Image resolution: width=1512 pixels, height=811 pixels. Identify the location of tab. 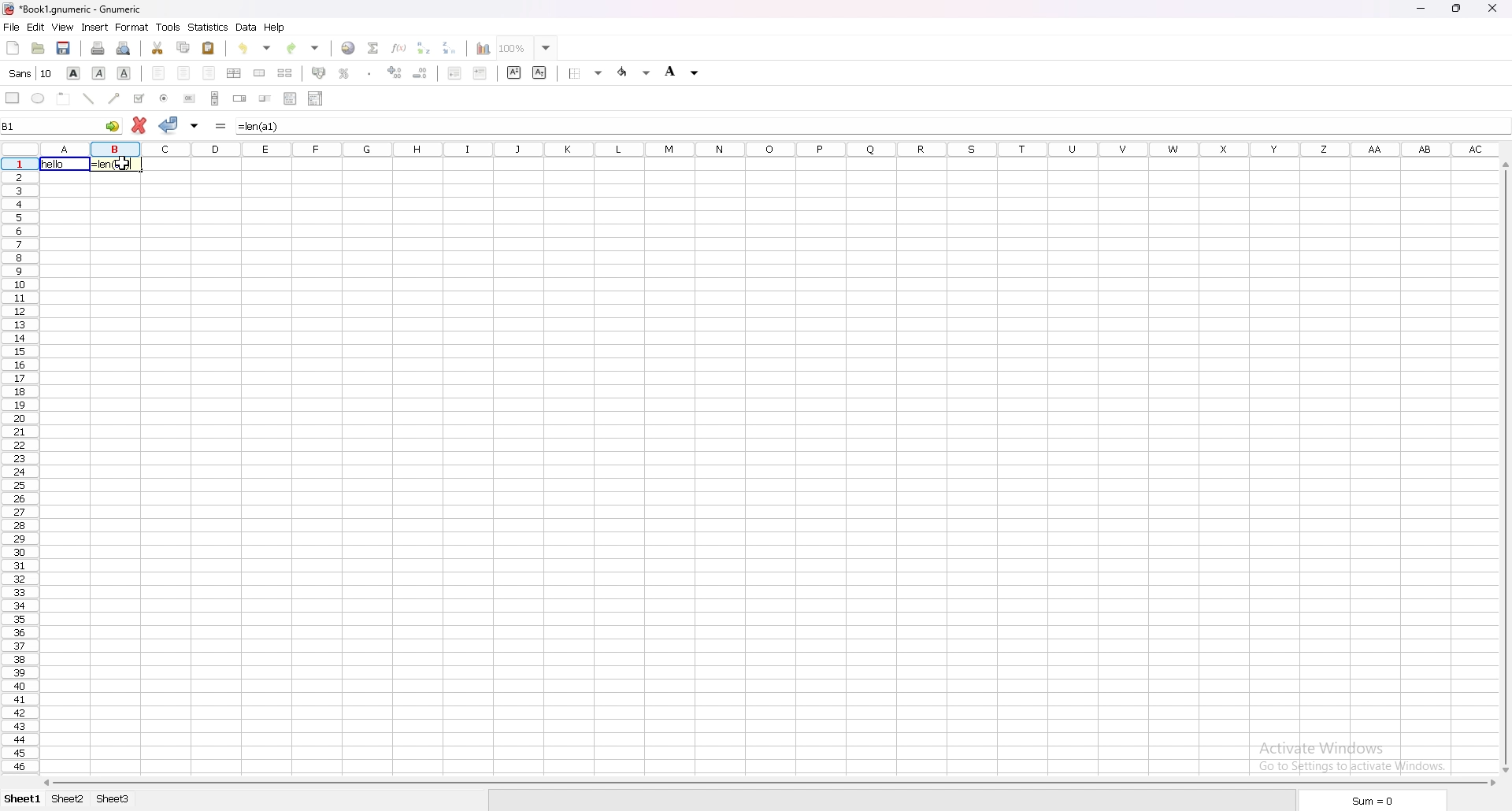
(67, 800).